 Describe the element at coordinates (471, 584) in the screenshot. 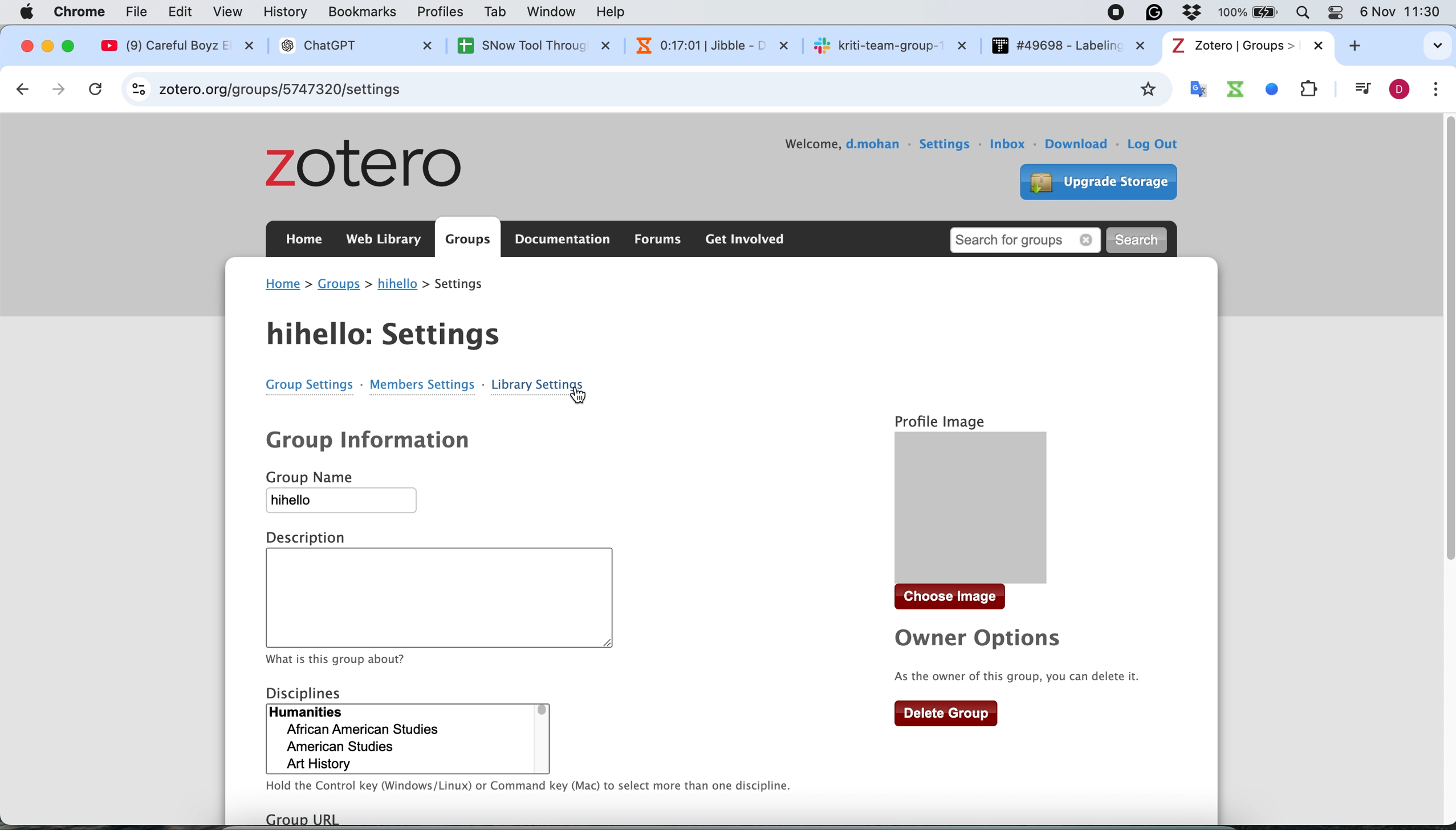

I see `Description` at that location.